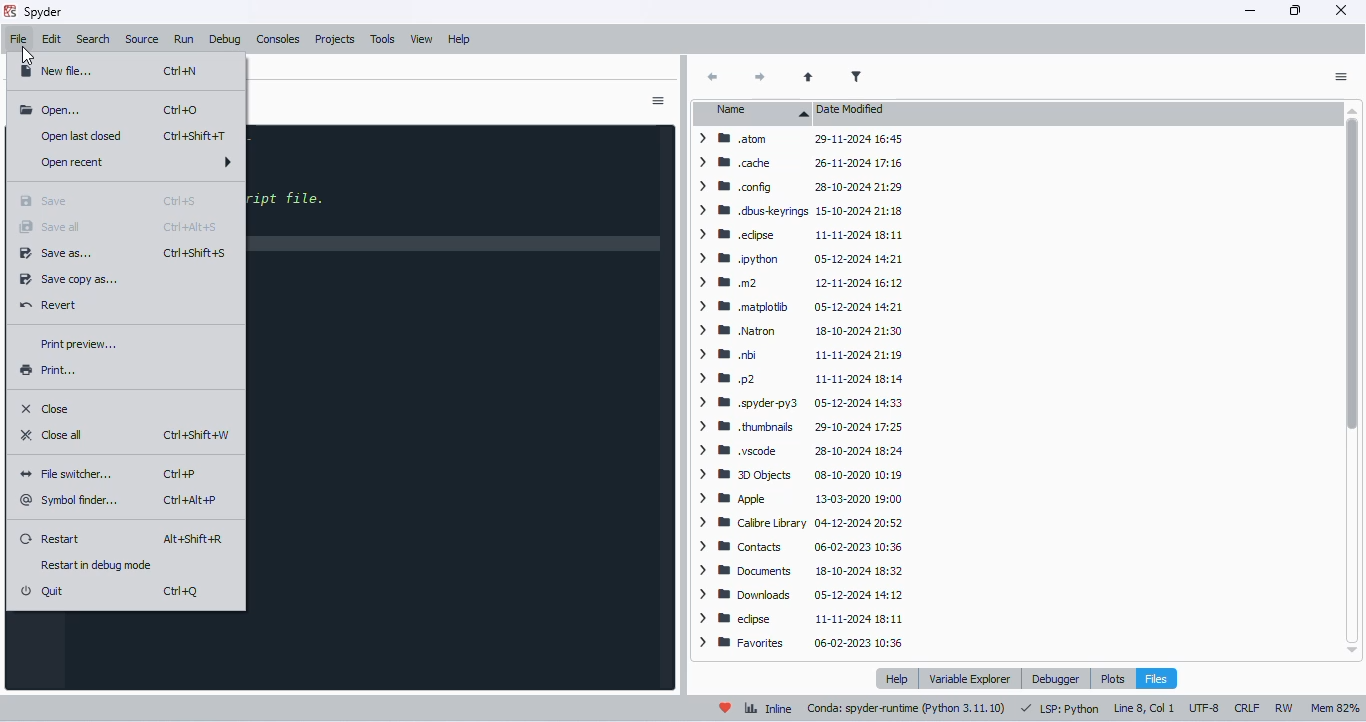 The image size is (1366, 722). Describe the element at coordinates (753, 111) in the screenshot. I see `name` at that location.